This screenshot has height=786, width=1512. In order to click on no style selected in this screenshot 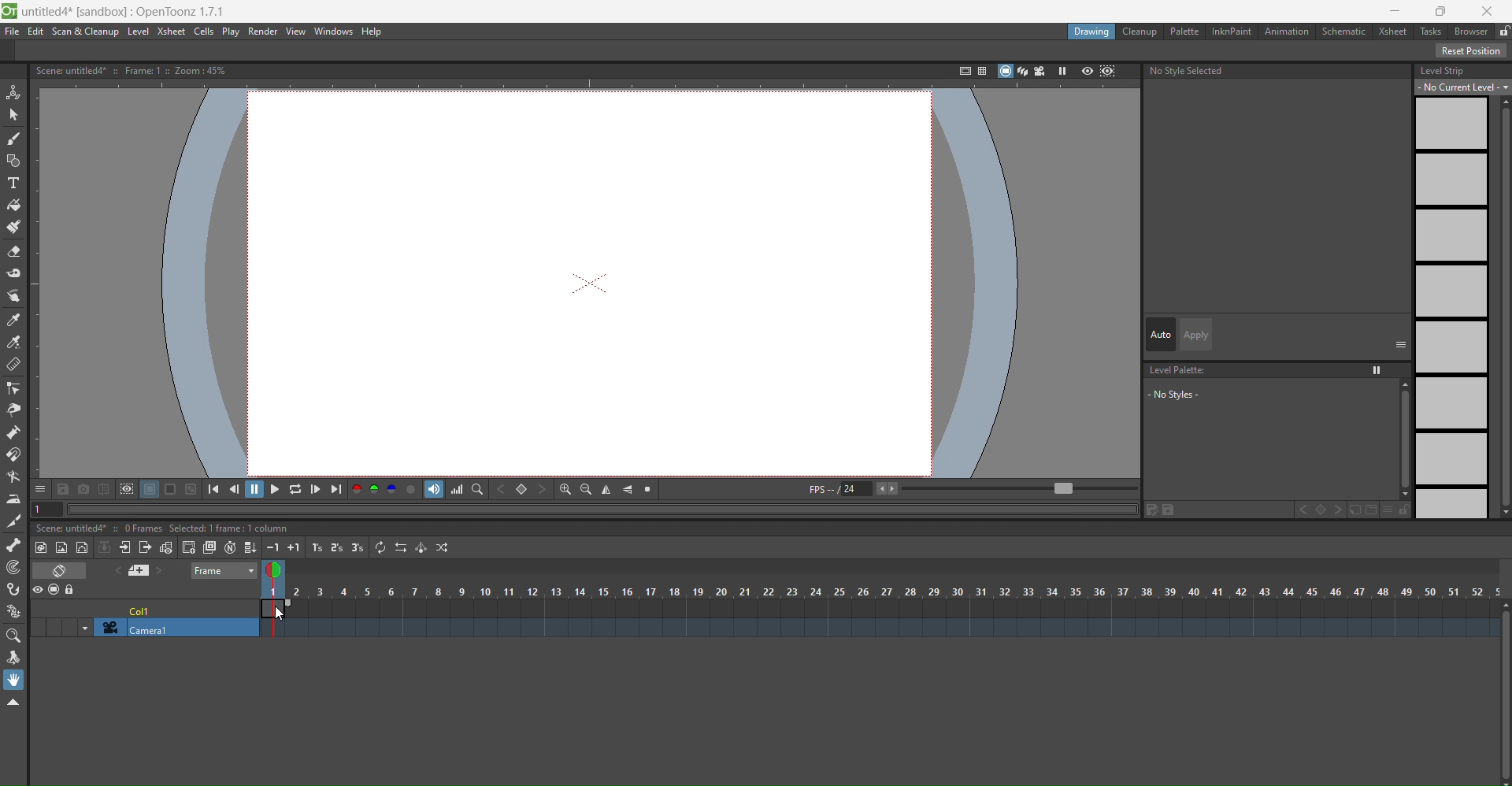, I will do `click(1279, 73)`.